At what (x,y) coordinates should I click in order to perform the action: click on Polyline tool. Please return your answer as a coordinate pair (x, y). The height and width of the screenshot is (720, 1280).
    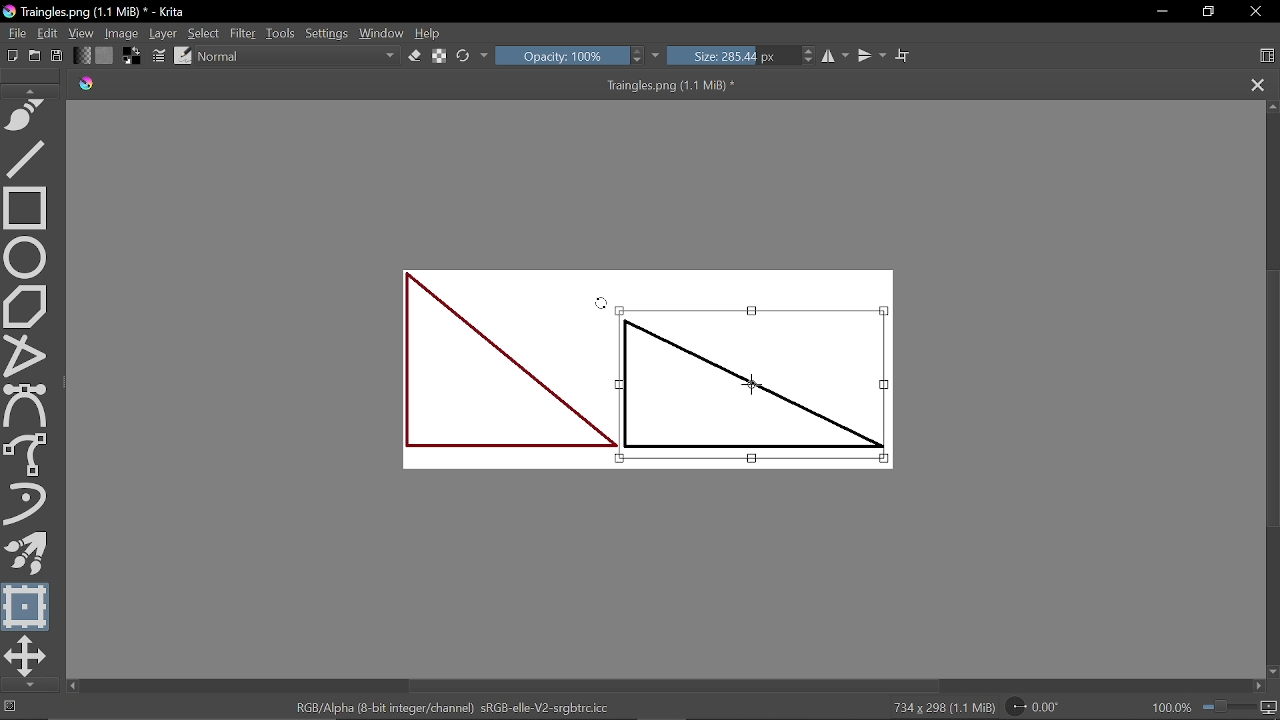
    Looking at the image, I should click on (29, 353).